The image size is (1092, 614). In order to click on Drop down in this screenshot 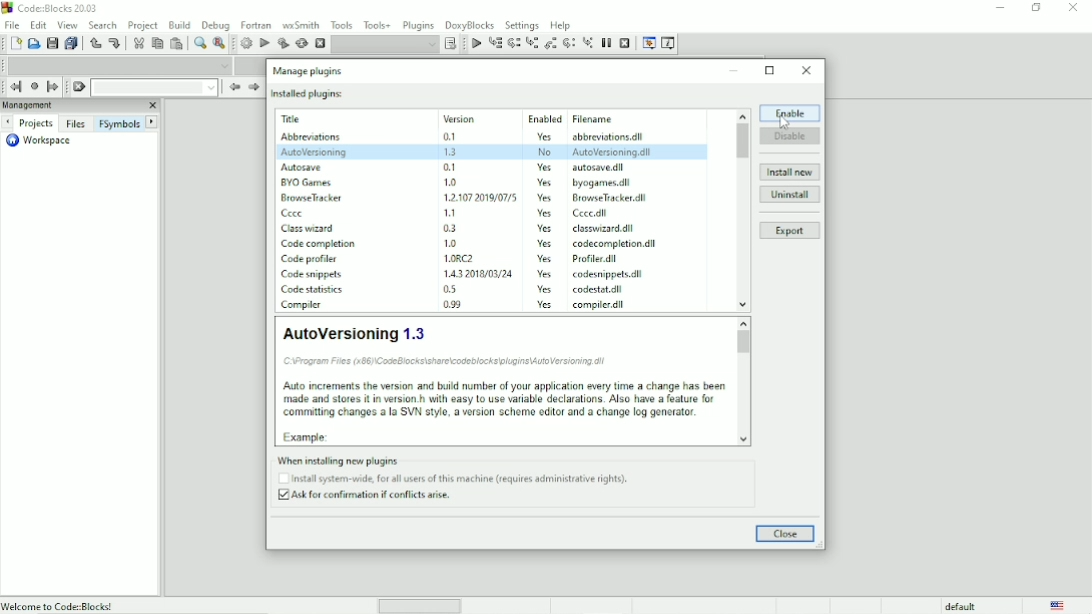, I will do `click(154, 87)`.